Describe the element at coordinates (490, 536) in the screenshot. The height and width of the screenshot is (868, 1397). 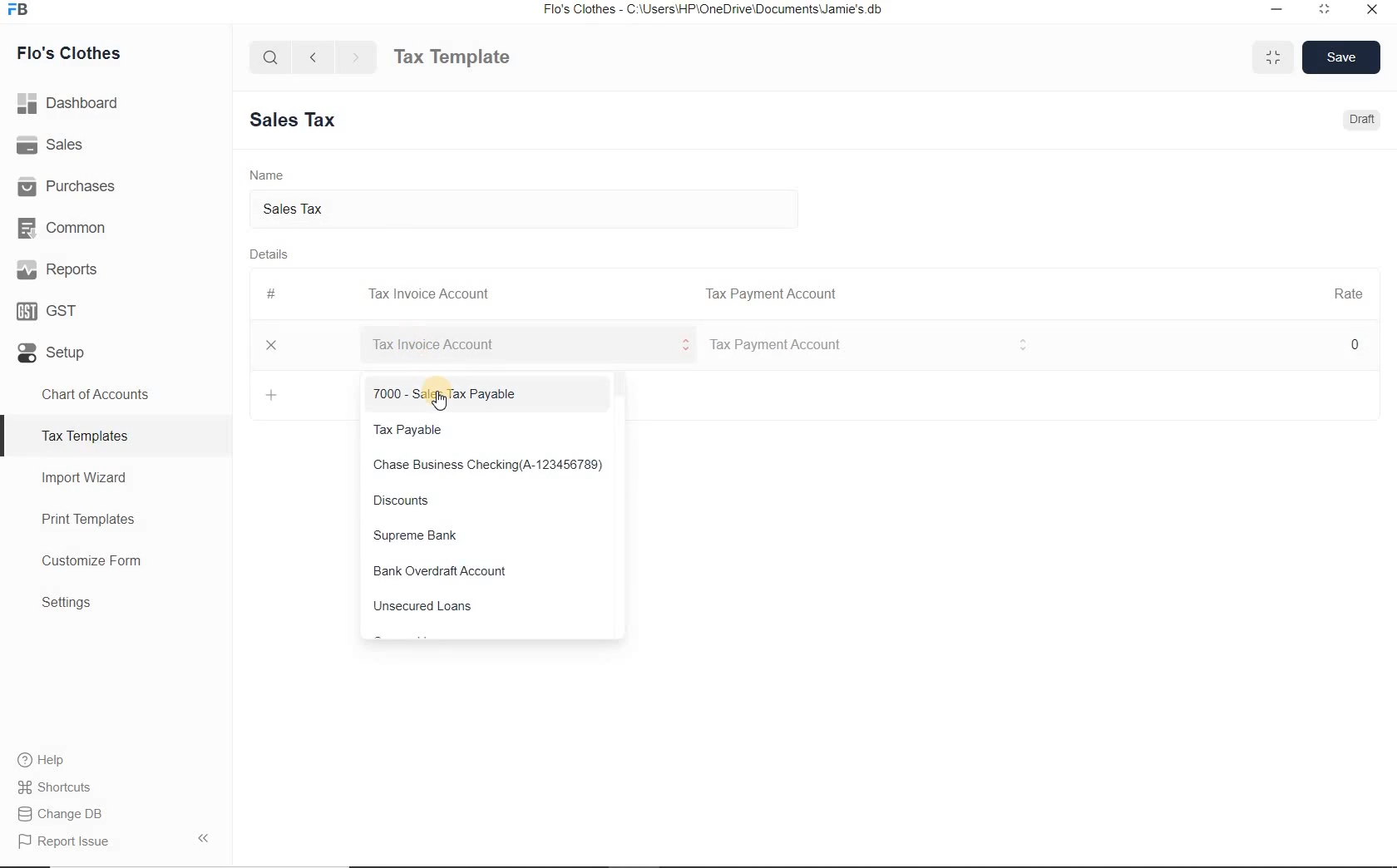
I see `Supreme Bank` at that location.